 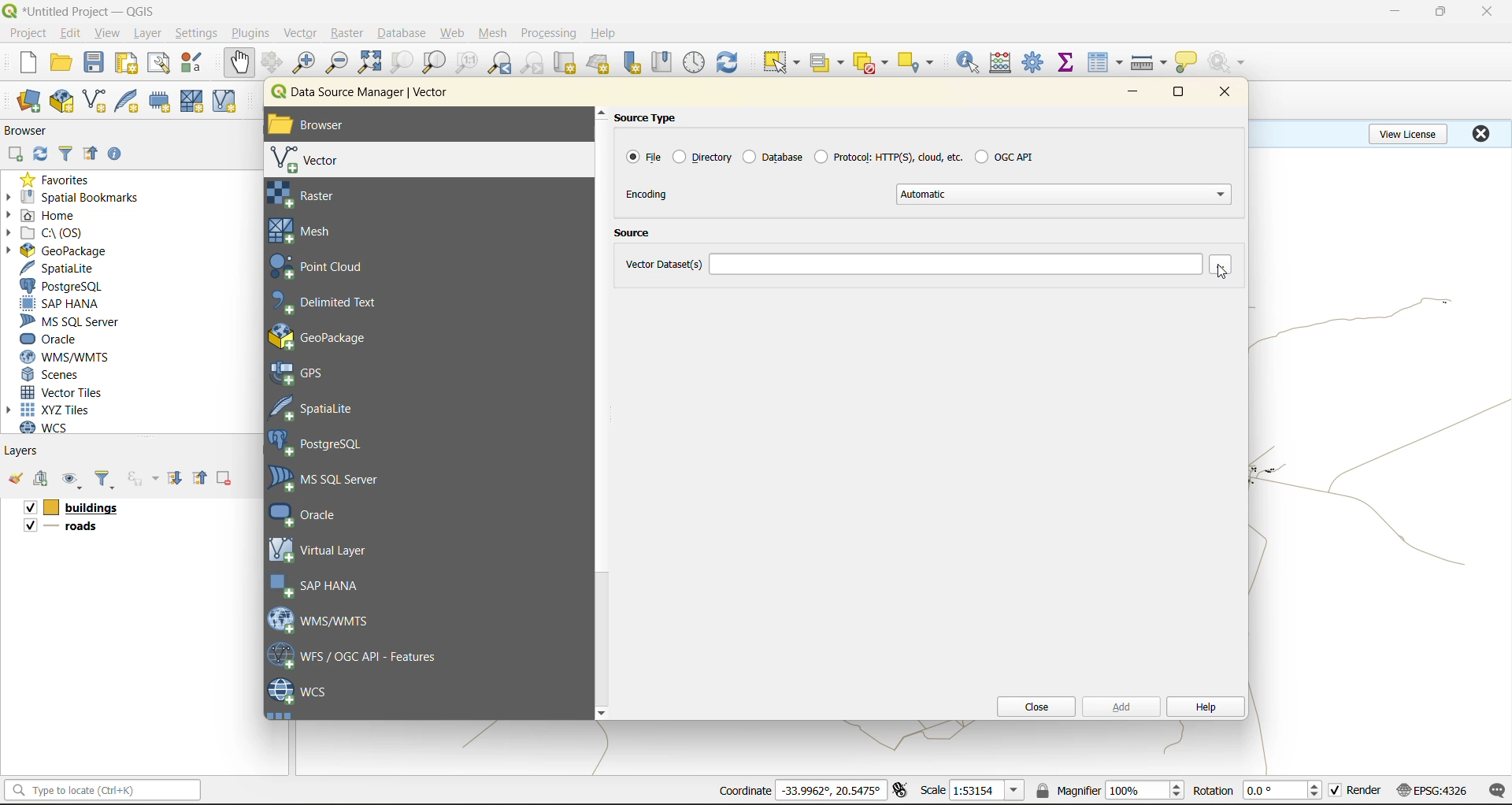 I want to click on view, so click(x=108, y=35).